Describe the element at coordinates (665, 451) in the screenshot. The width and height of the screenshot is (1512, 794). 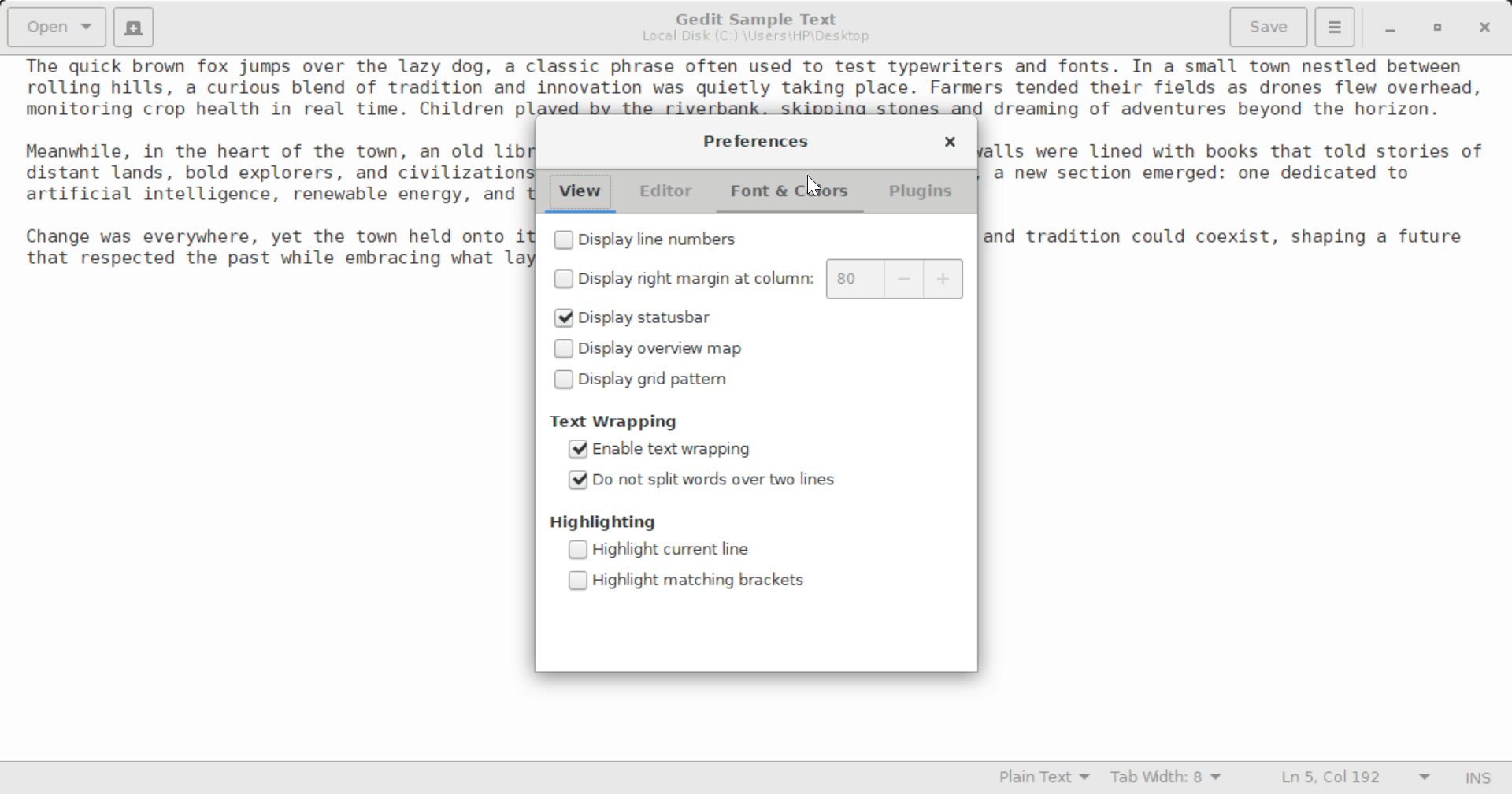
I see `Enable Text Wrapping` at that location.